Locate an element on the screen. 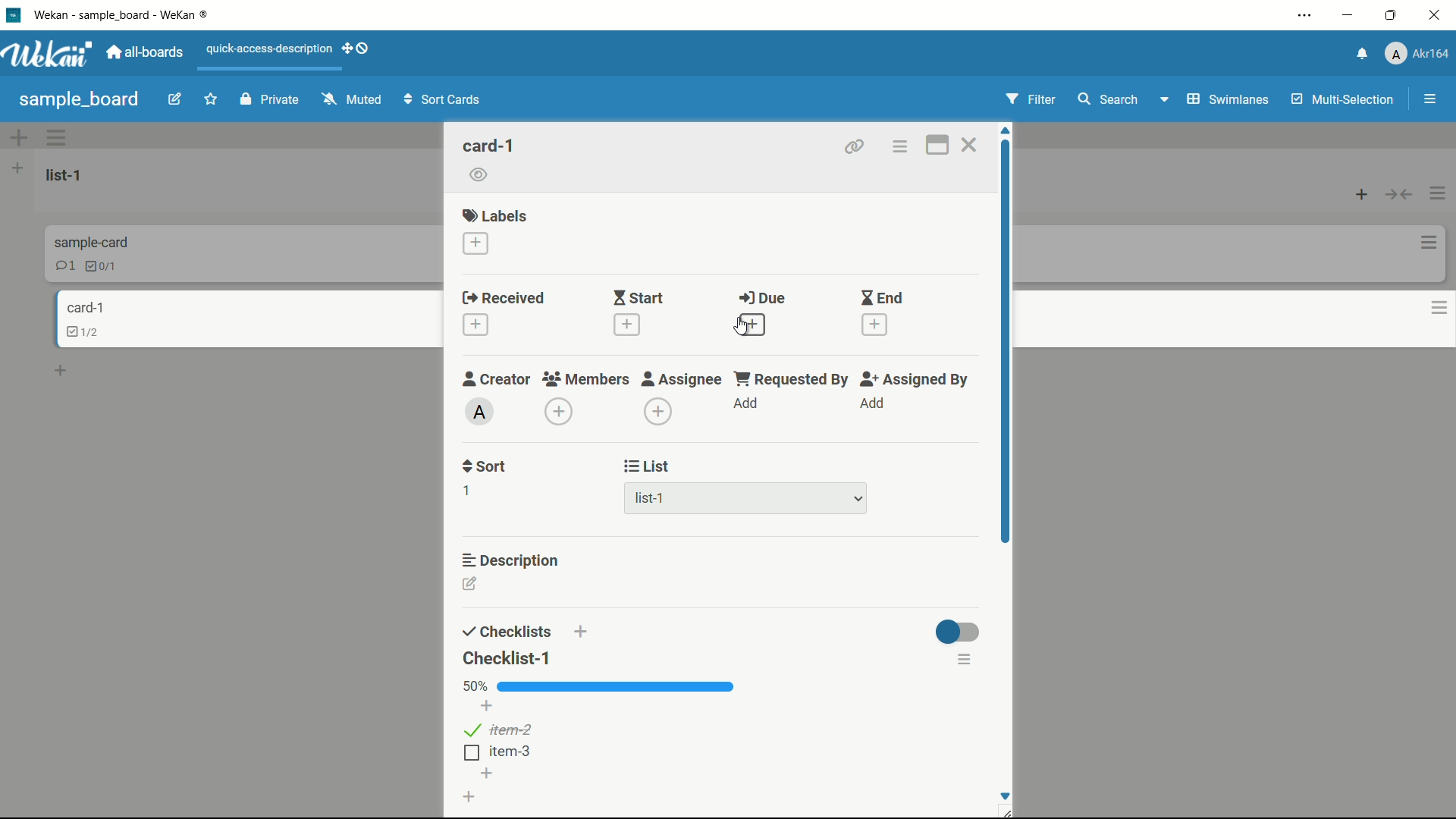  close is located at coordinates (1435, 20).